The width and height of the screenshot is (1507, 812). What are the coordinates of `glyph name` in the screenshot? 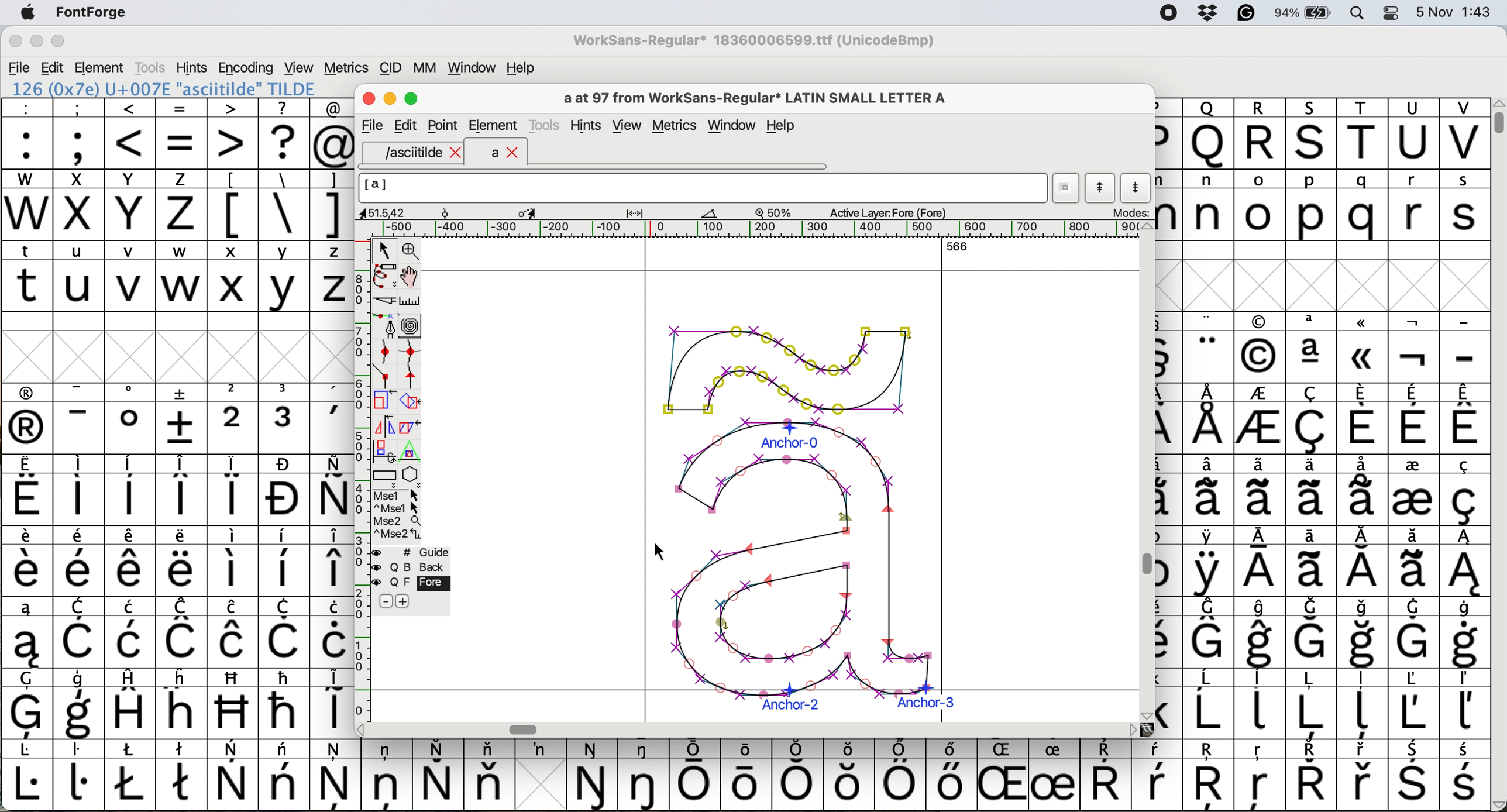 It's located at (701, 188).